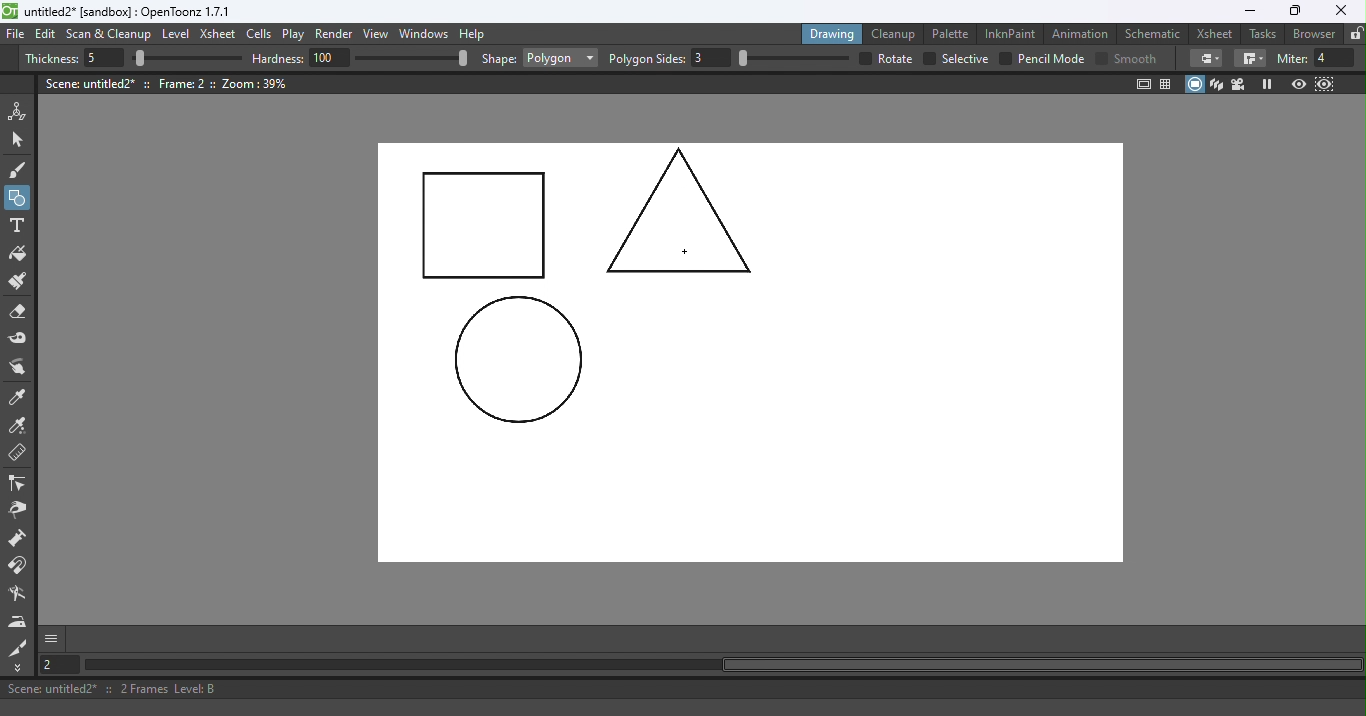 The image size is (1366, 716). What do you see at coordinates (1138, 58) in the screenshot?
I see `smooth` at bounding box center [1138, 58].